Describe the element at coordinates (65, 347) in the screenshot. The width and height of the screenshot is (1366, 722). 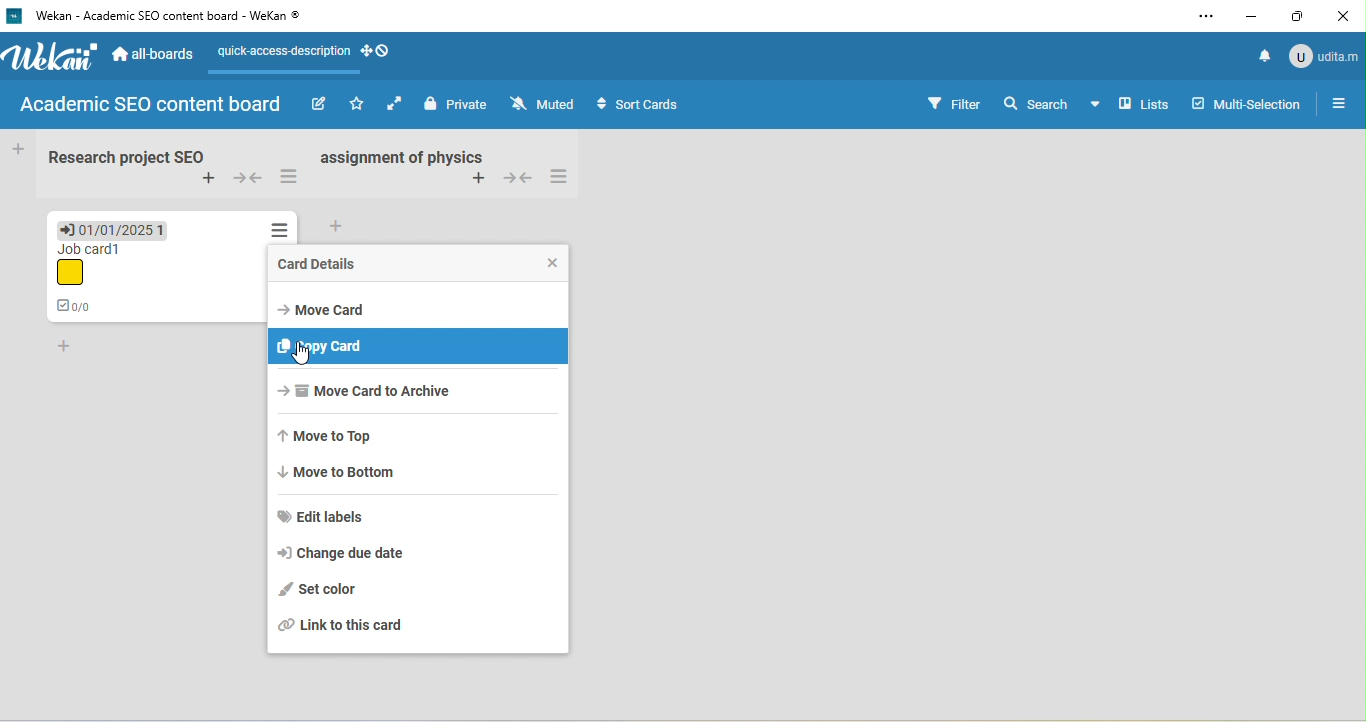
I see `add` at that location.